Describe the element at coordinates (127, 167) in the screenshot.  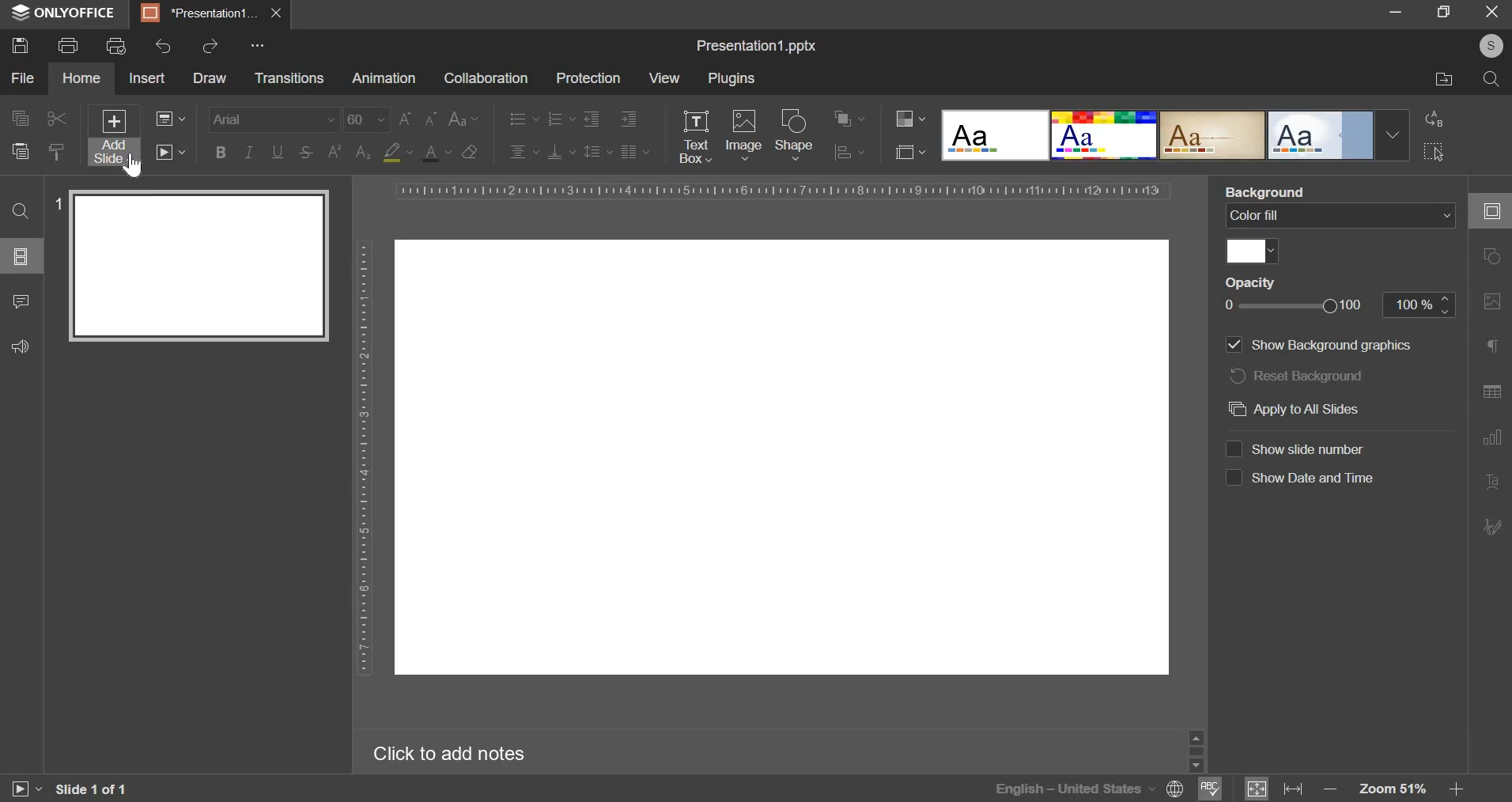
I see `mouse pointer` at that location.